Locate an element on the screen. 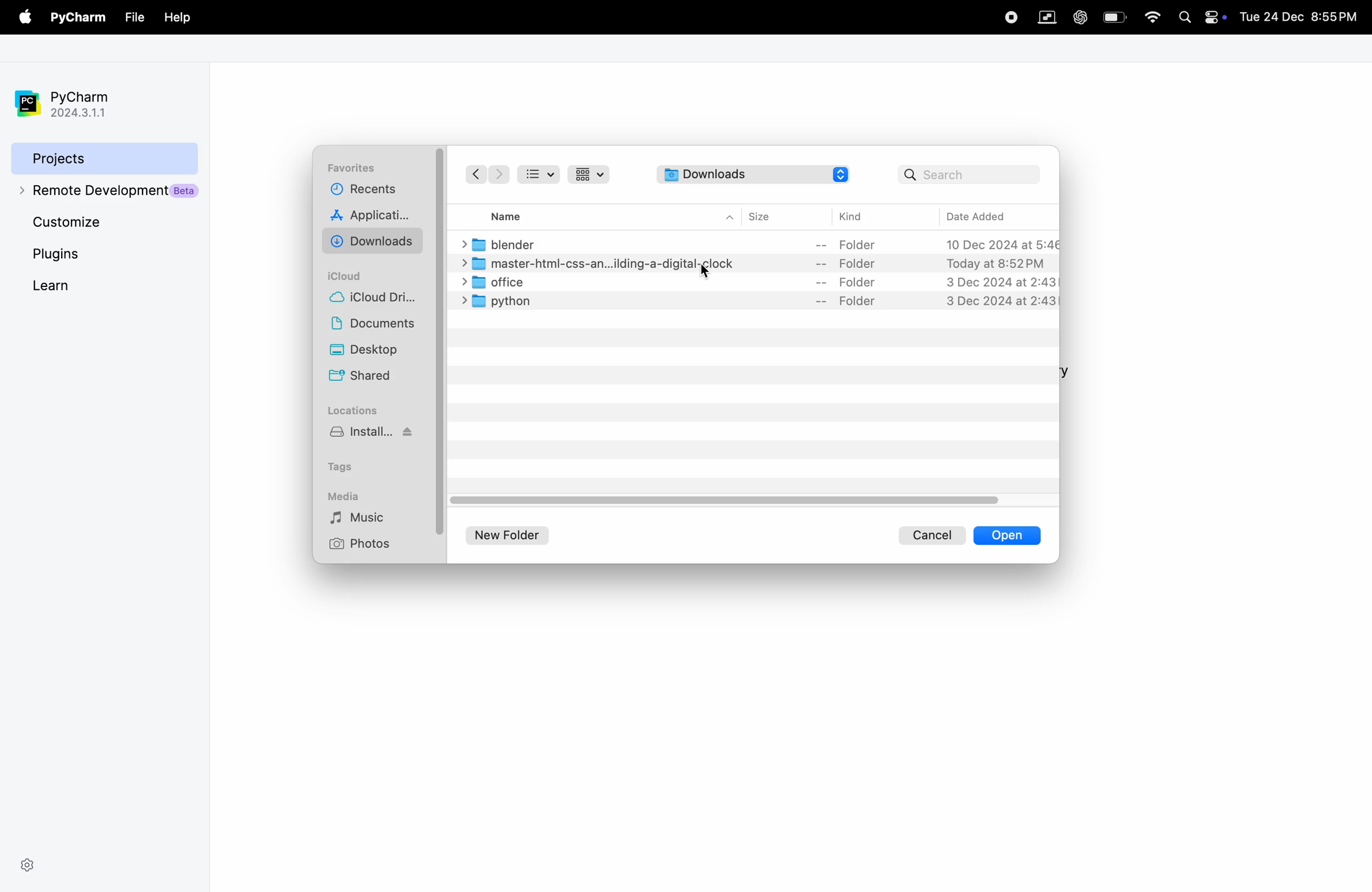  backward is located at coordinates (474, 174).